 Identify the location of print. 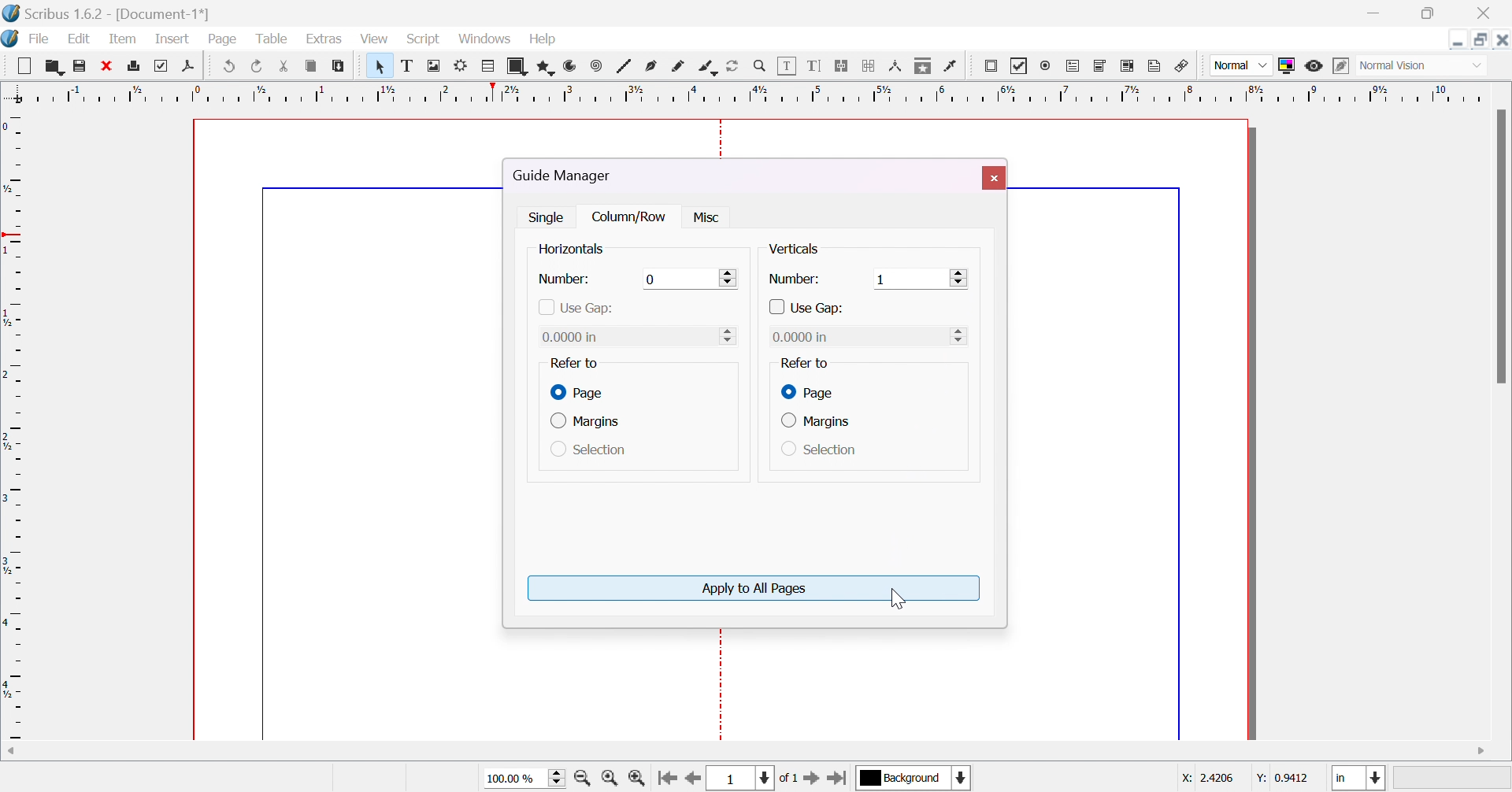
(138, 65).